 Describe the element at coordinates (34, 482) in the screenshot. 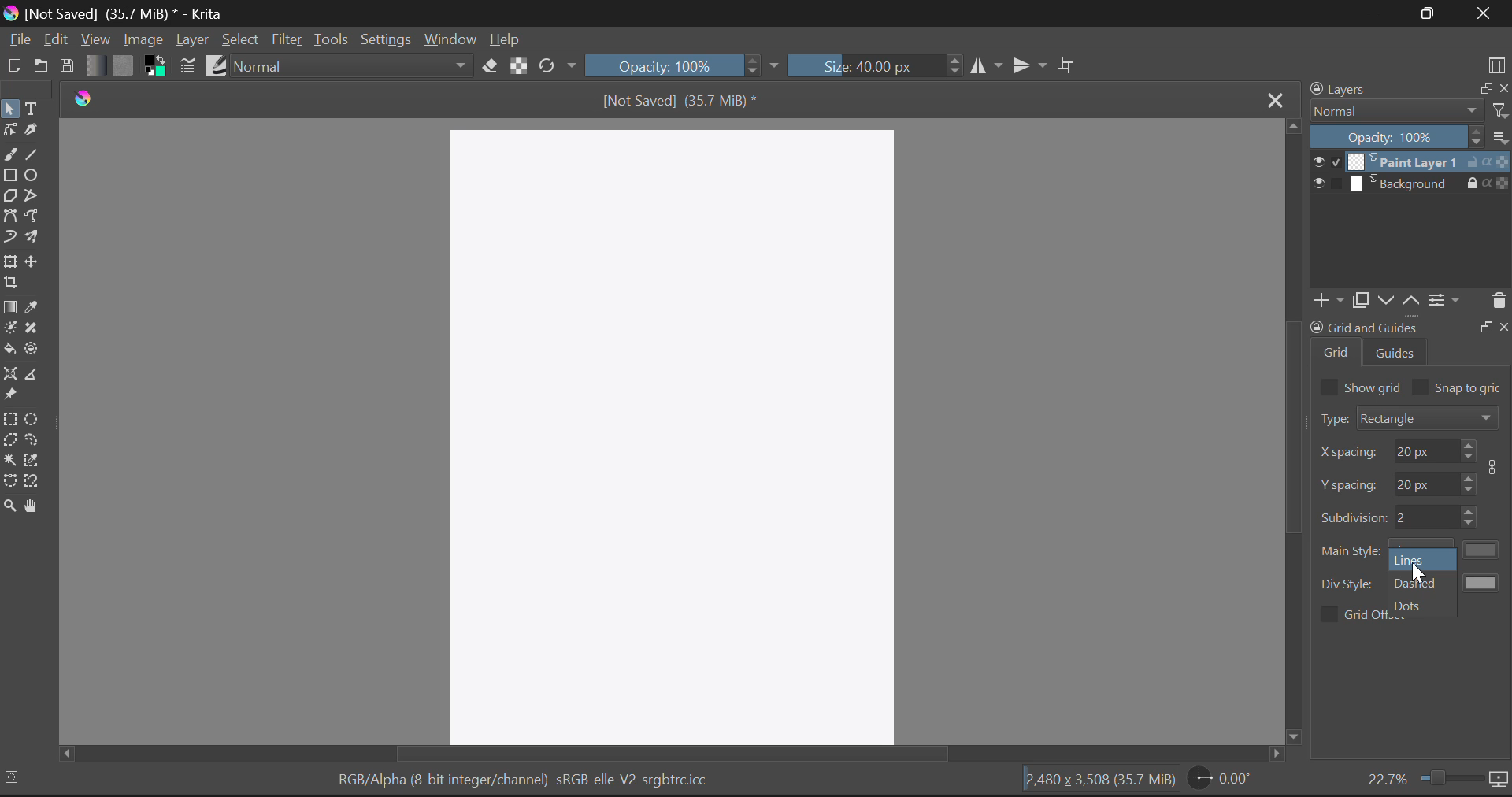

I see `Magnetic Curve Selection` at that location.